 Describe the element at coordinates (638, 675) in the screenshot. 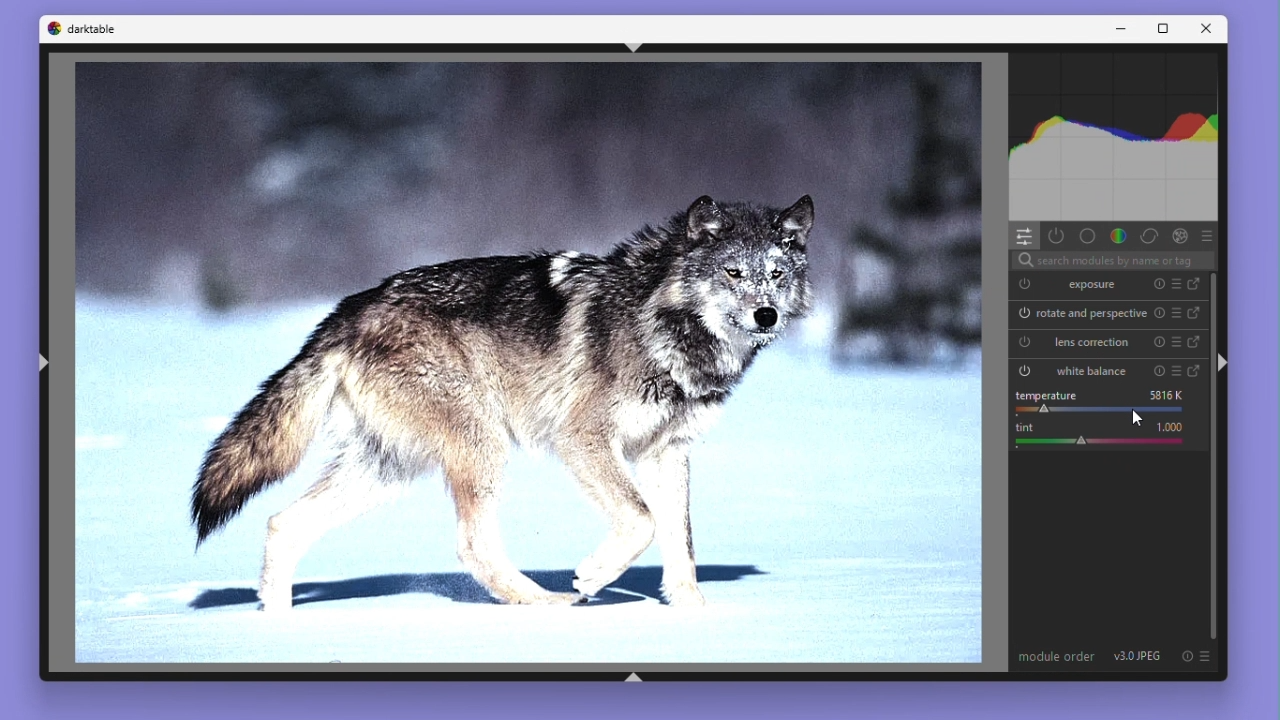

I see `Ctrl + shift +b` at that location.